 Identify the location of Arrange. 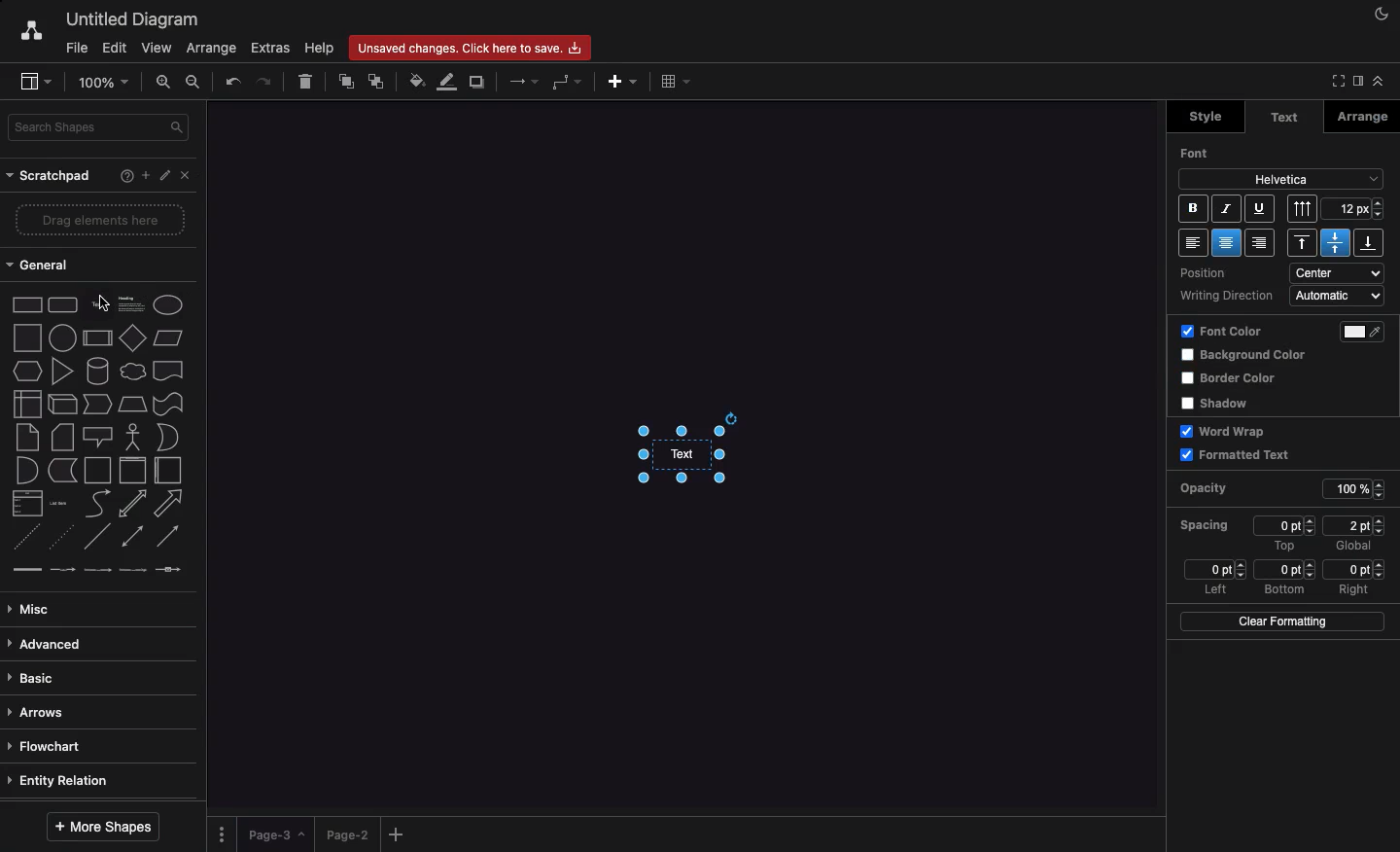
(1363, 117).